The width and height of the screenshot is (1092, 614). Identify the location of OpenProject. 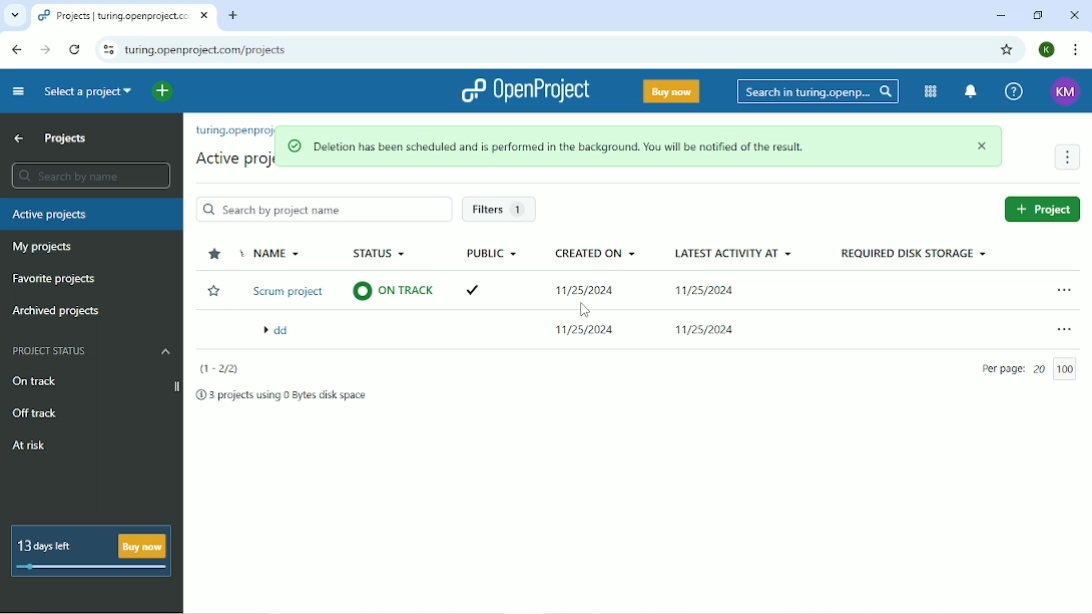
(525, 90).